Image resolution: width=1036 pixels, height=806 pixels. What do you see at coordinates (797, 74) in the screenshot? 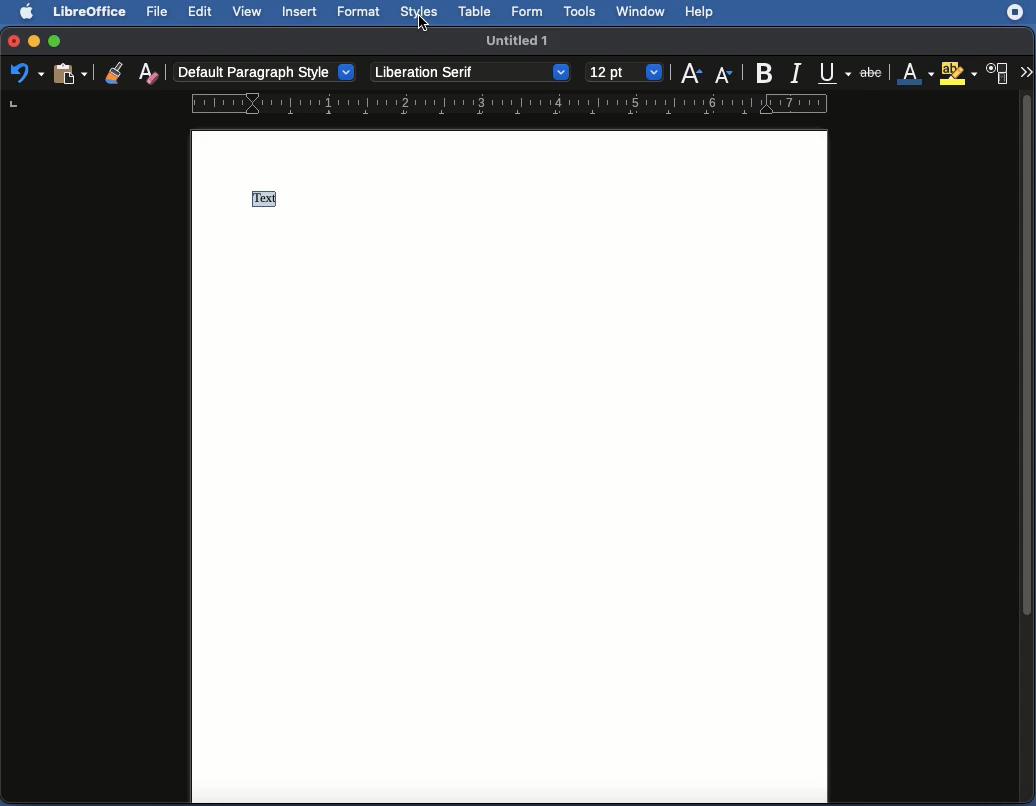
I see `Italics` at bounding box center [797, 74].